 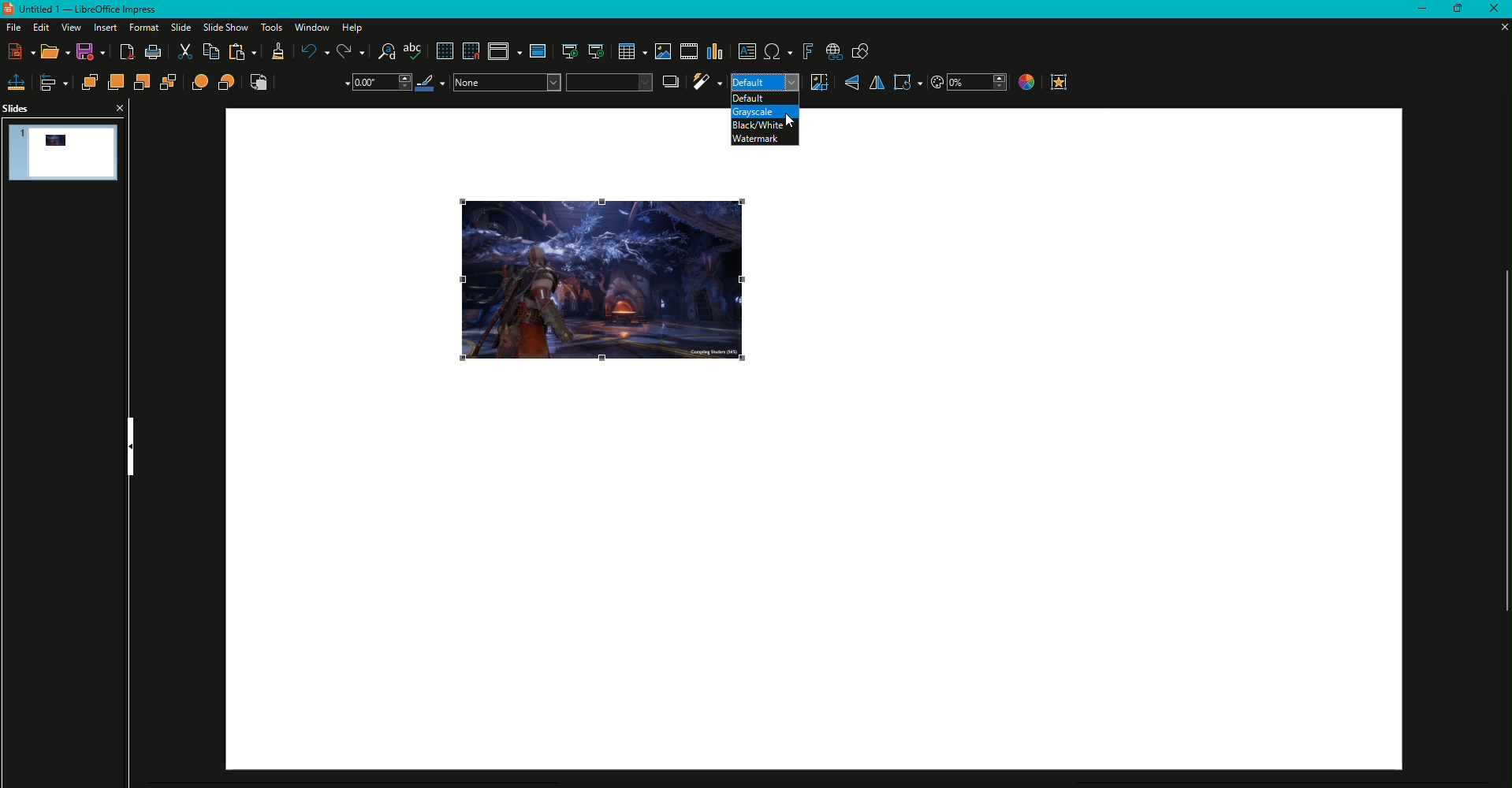 I want to click on View, so click(x=69, y=28).